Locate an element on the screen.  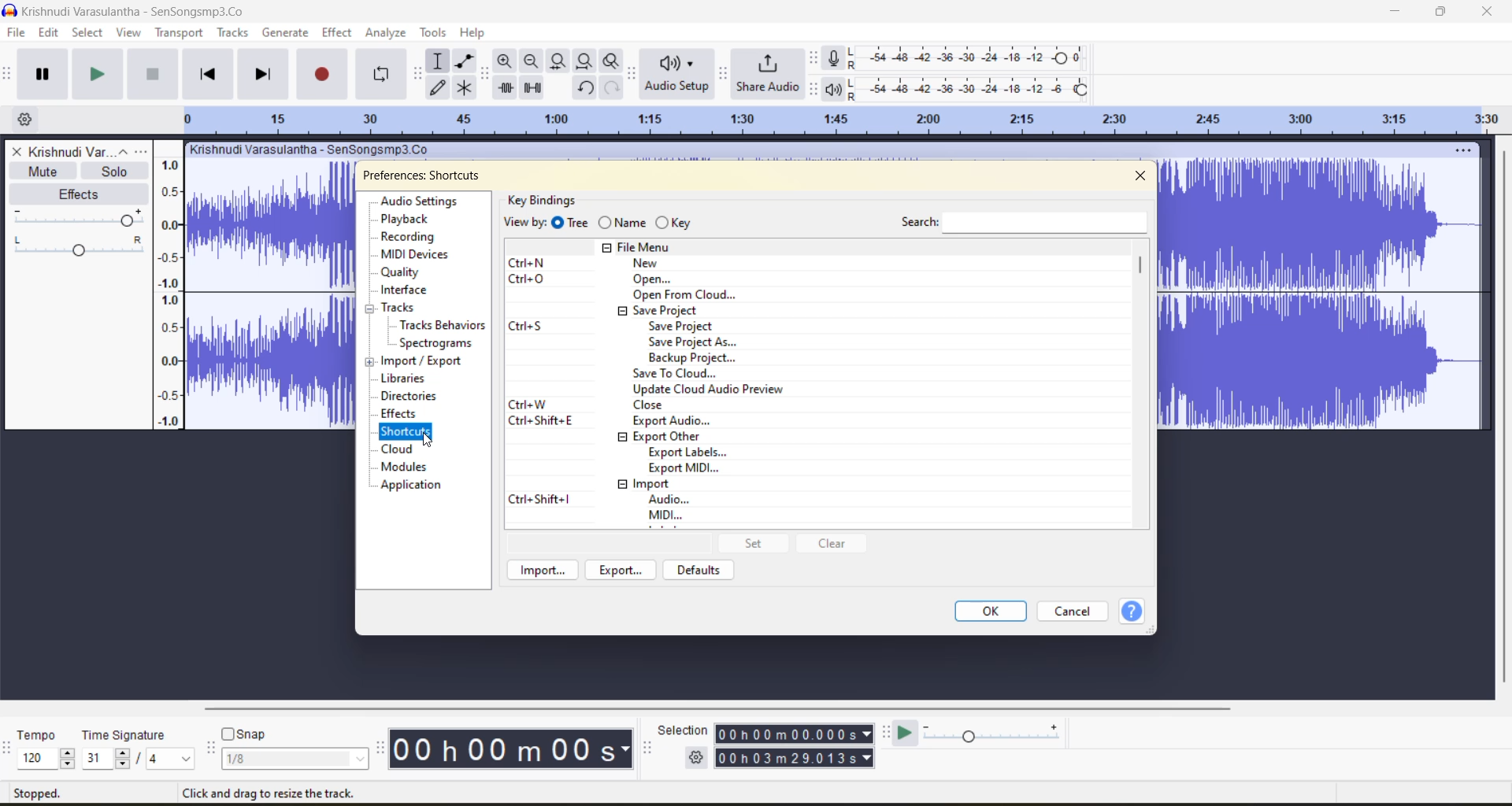
cloud is located at coordinates (414, 451).